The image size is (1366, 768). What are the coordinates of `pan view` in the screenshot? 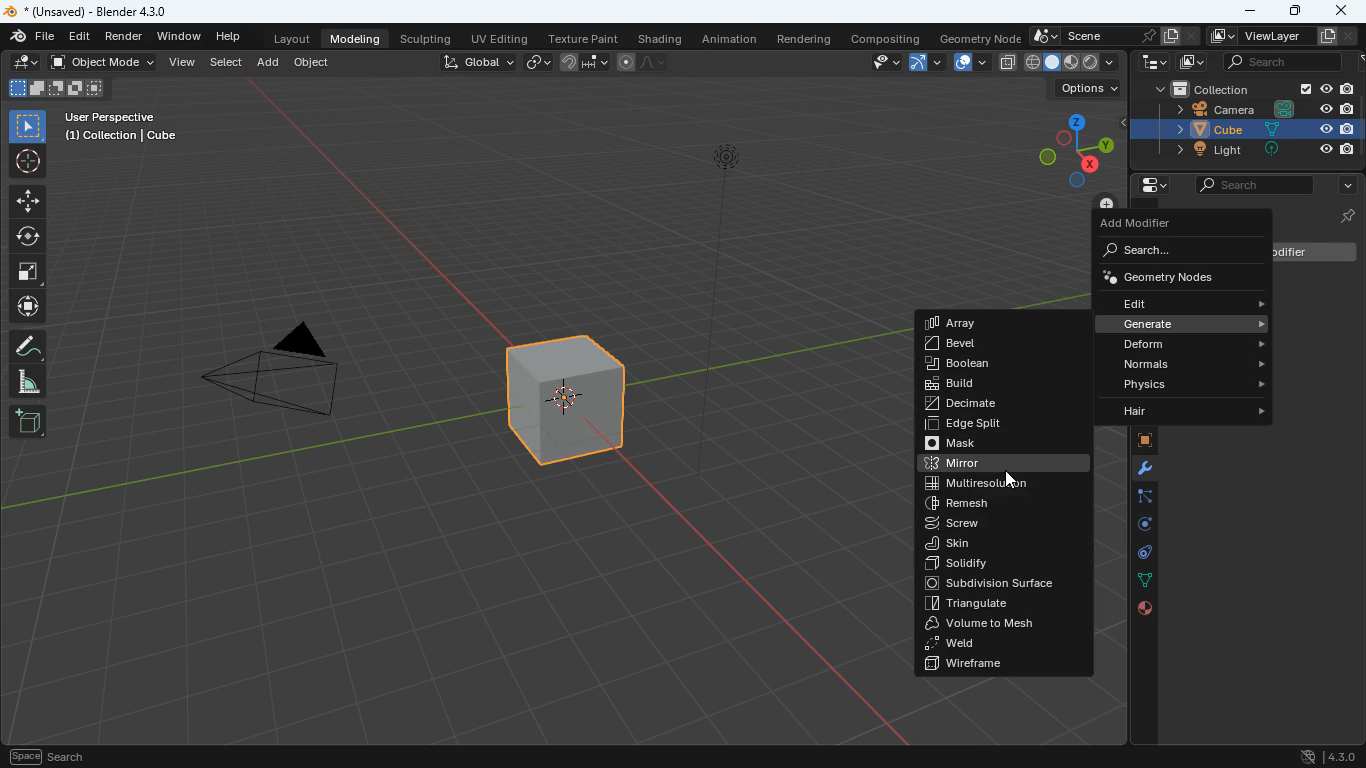 It's located at (47, 755).